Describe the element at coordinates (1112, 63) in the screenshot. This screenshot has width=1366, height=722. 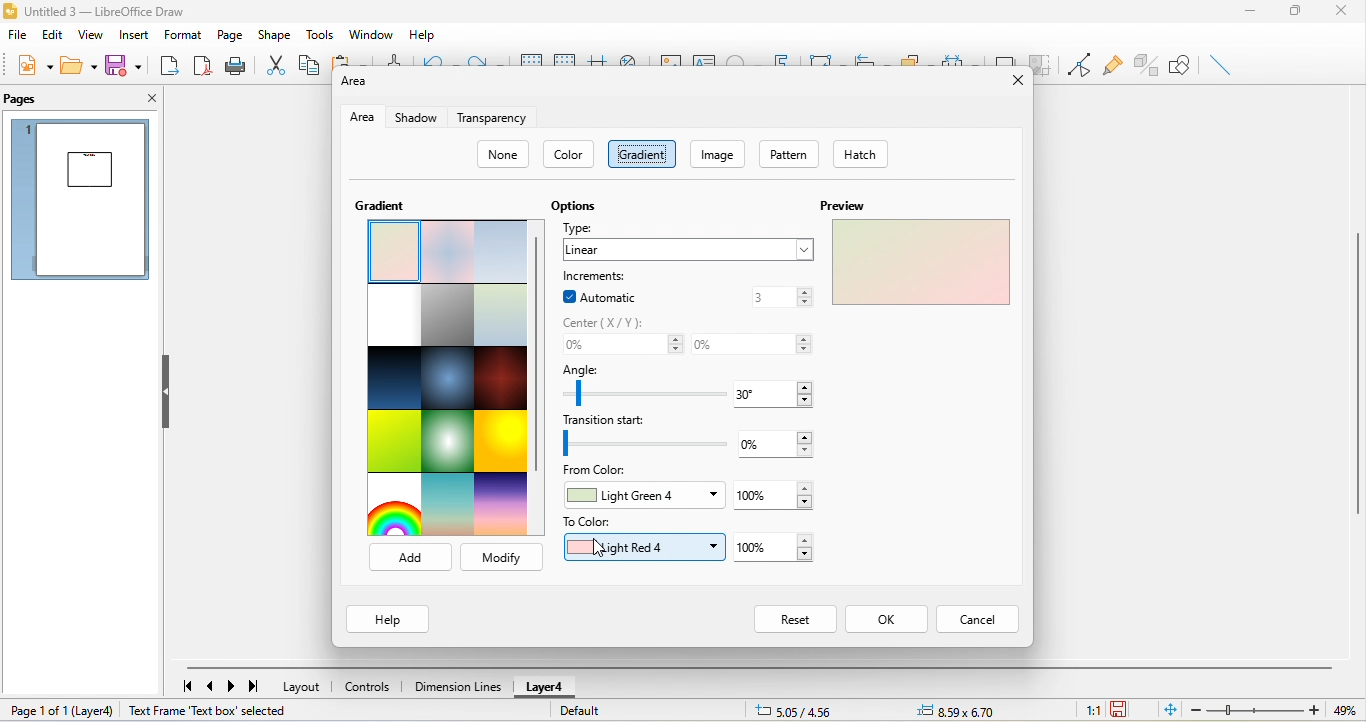
I see `glue point function` at that location.